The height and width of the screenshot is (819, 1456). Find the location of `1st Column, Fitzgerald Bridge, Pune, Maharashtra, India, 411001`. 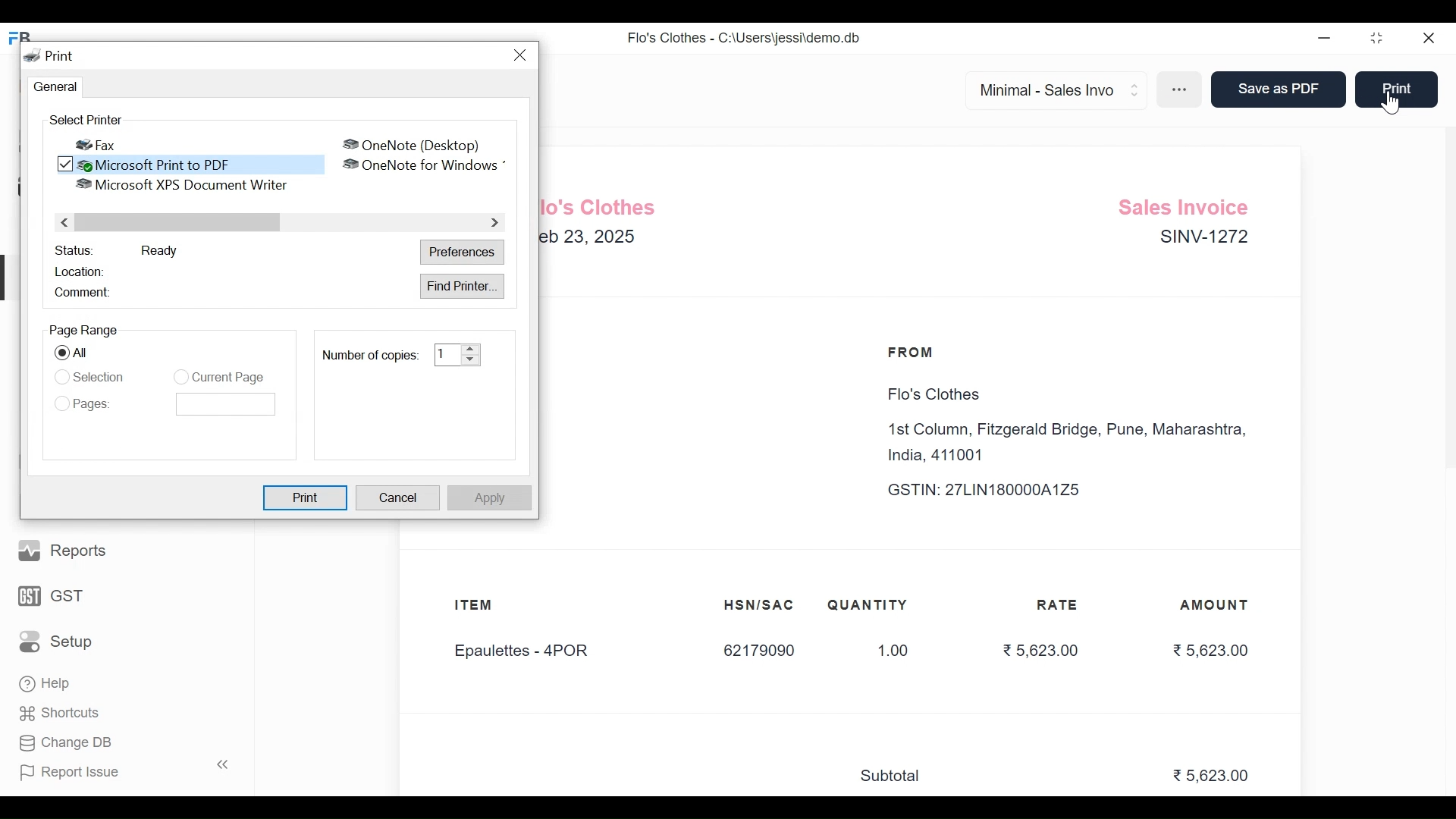

1st Column, Fitzgerald Bridge, Pune, Maharashtra, India, 411001 is located at coordinates (1072, 443).